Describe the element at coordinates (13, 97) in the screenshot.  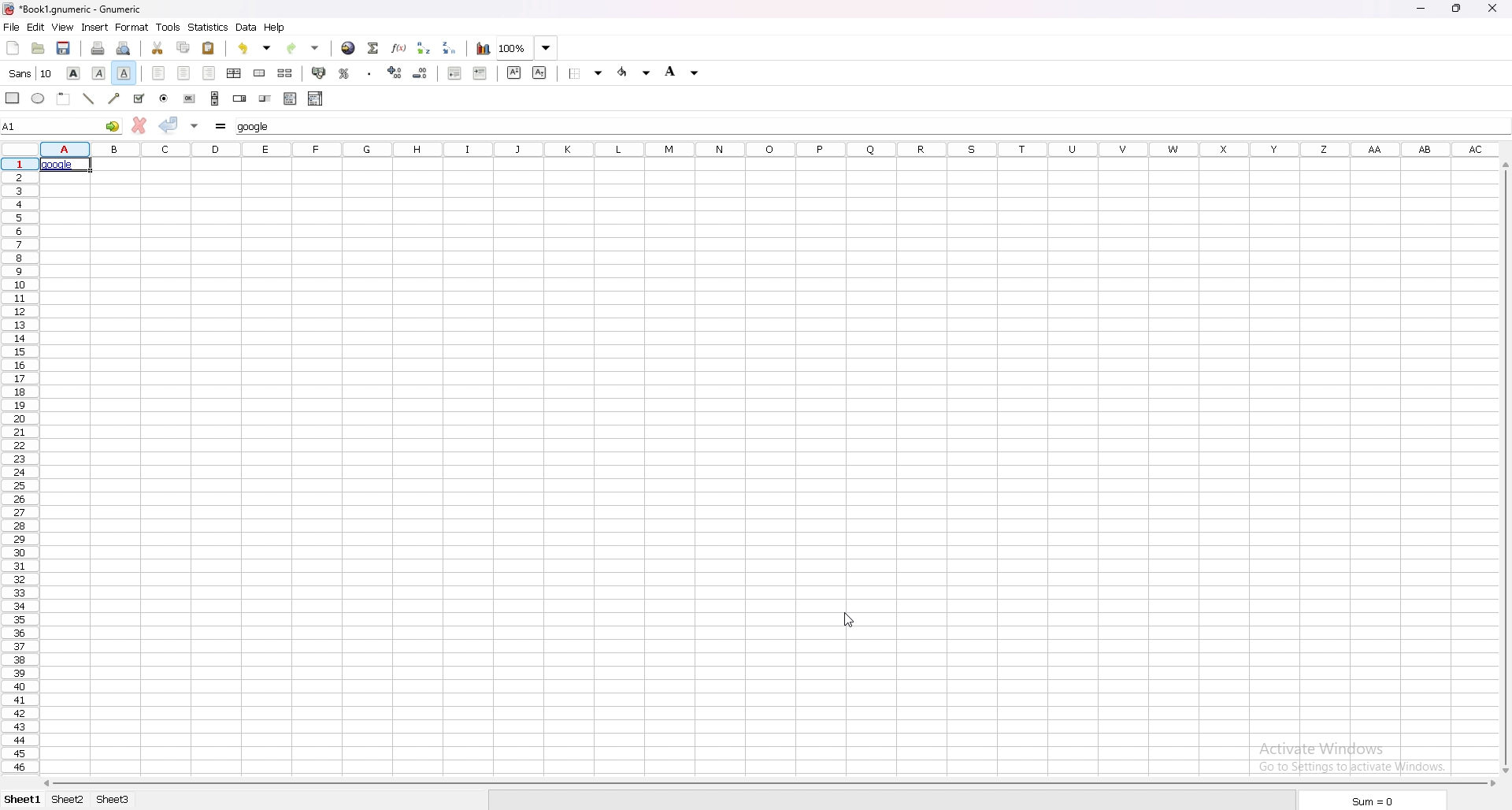
I see `rectangle` at that location.